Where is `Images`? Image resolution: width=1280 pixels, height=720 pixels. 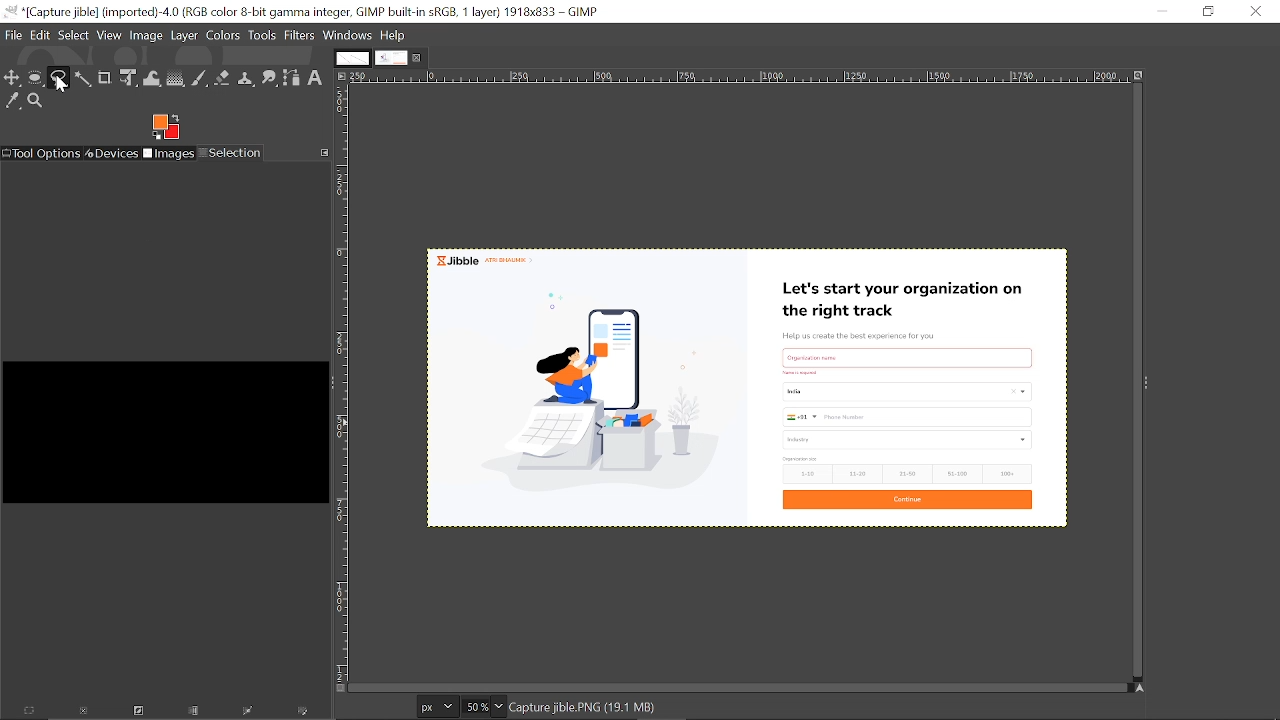 Images is located at coordinates (170, 154).